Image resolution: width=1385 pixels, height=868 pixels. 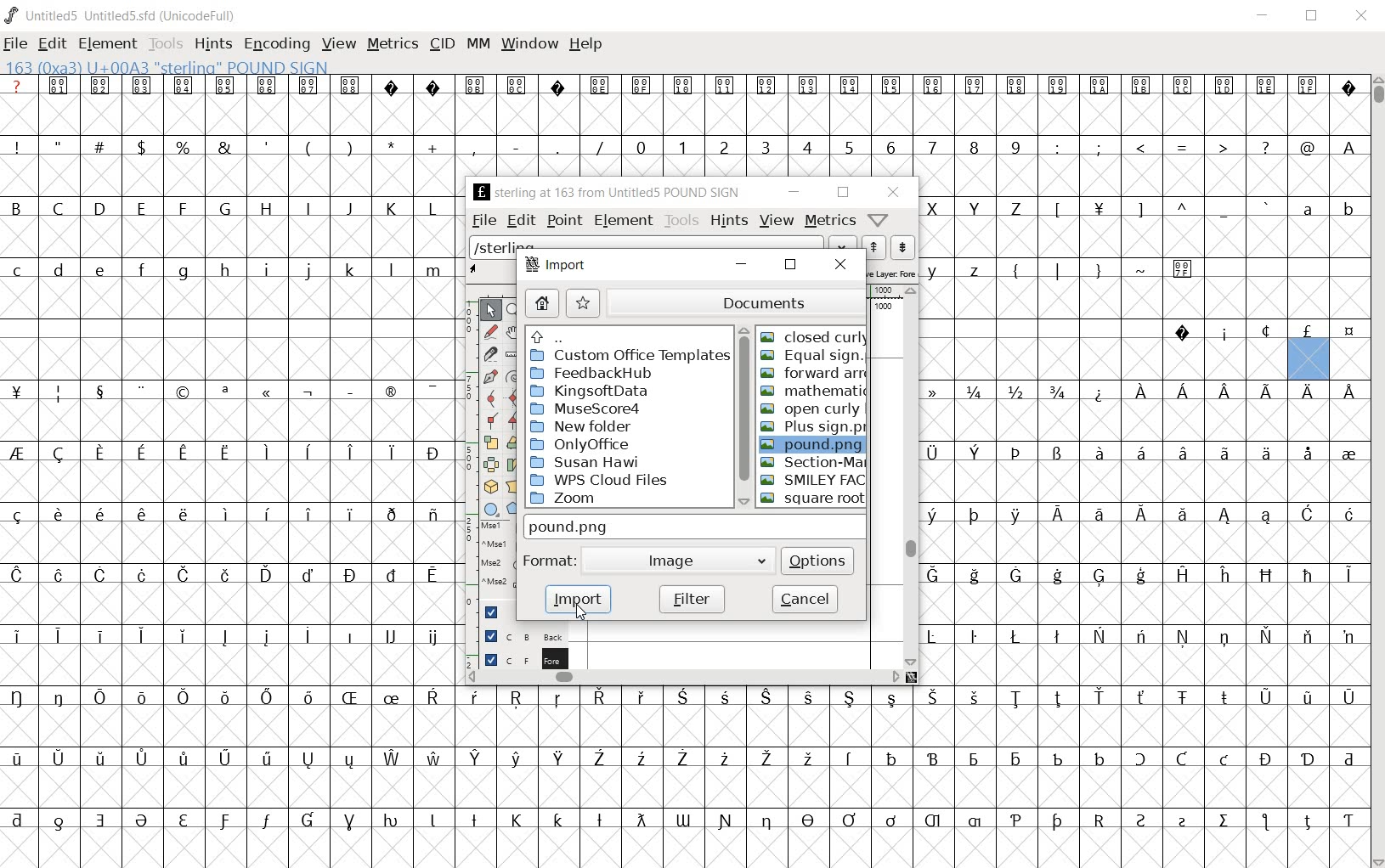 I want to click on scrollbar, so click(x=741, y=414).